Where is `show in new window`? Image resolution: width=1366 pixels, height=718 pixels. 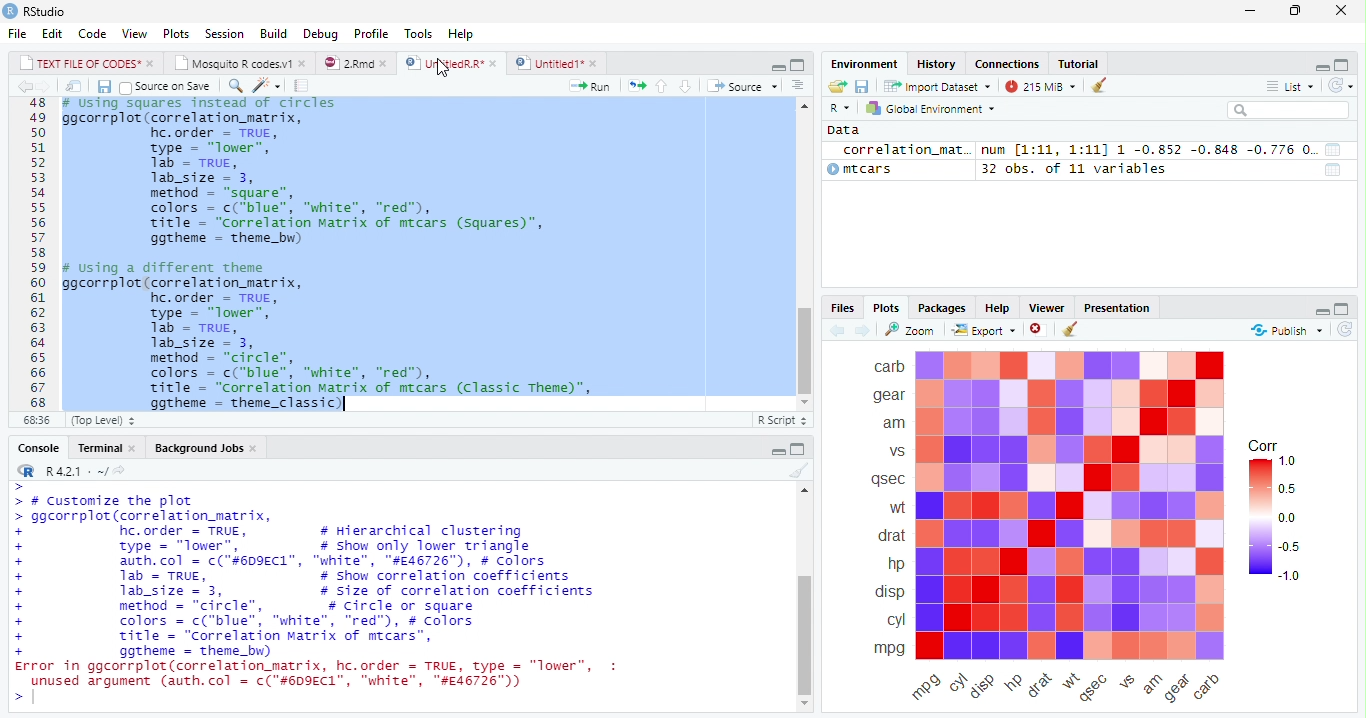
show in new window is located at coordinates (74, 86).